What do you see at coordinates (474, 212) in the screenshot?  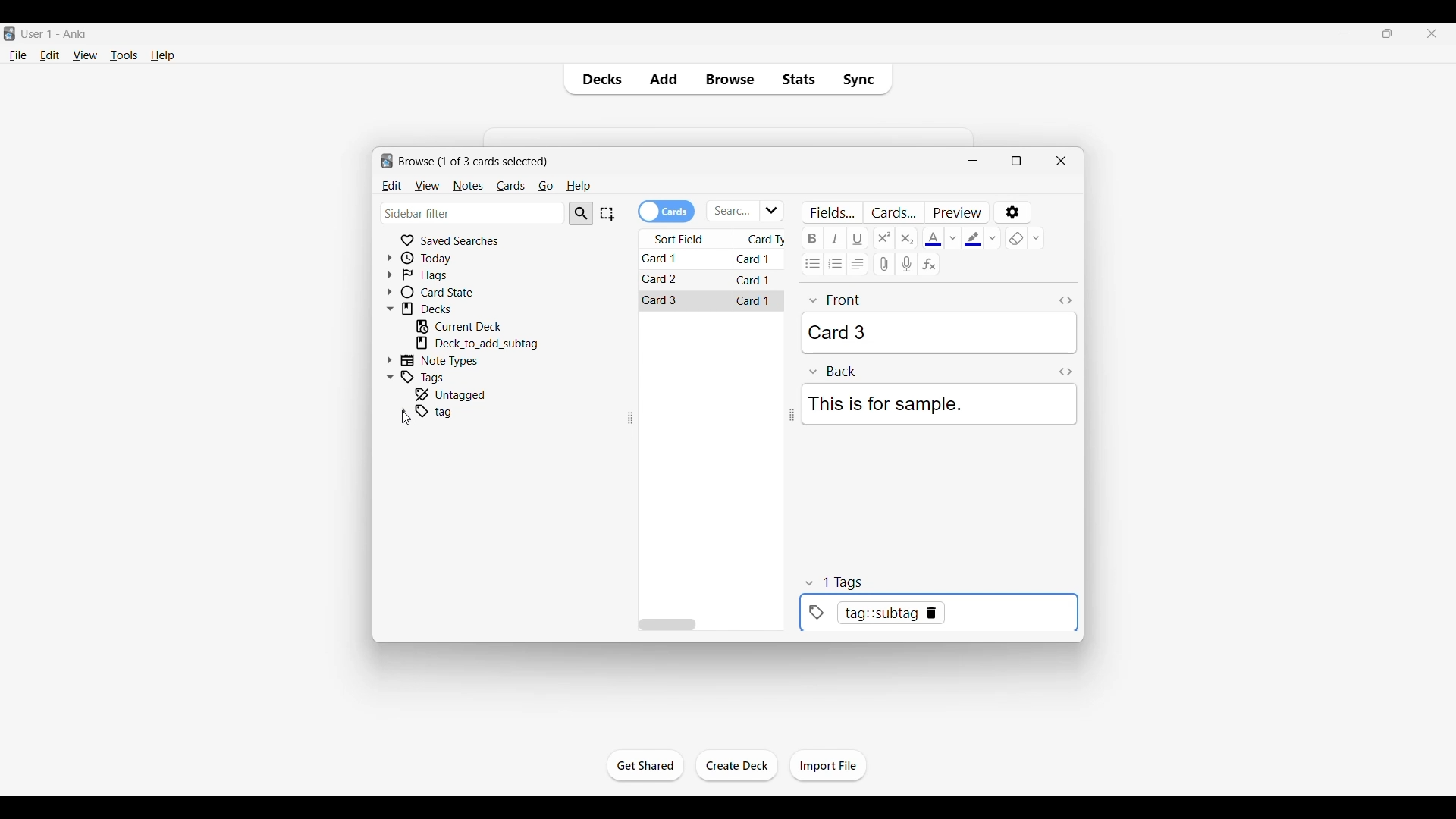 I see `Click to type in search` at bounding box center [474, 212].